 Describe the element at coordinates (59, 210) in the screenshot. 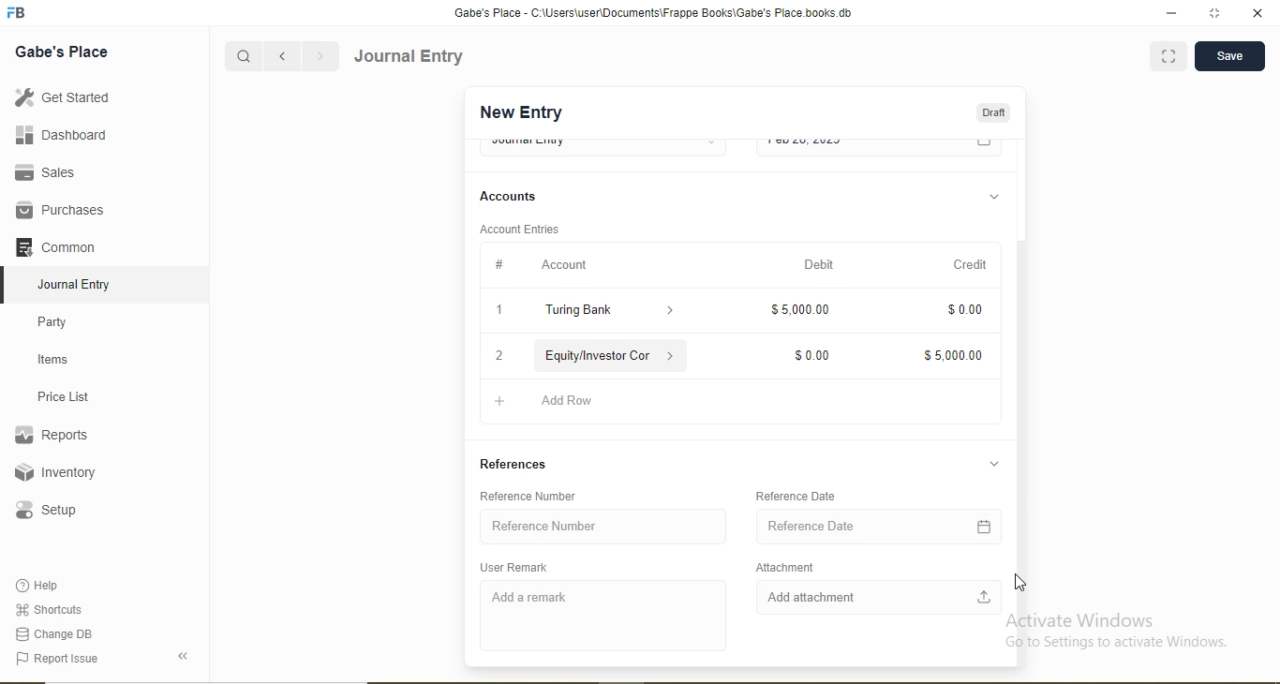

I see `Purchases` at that location.